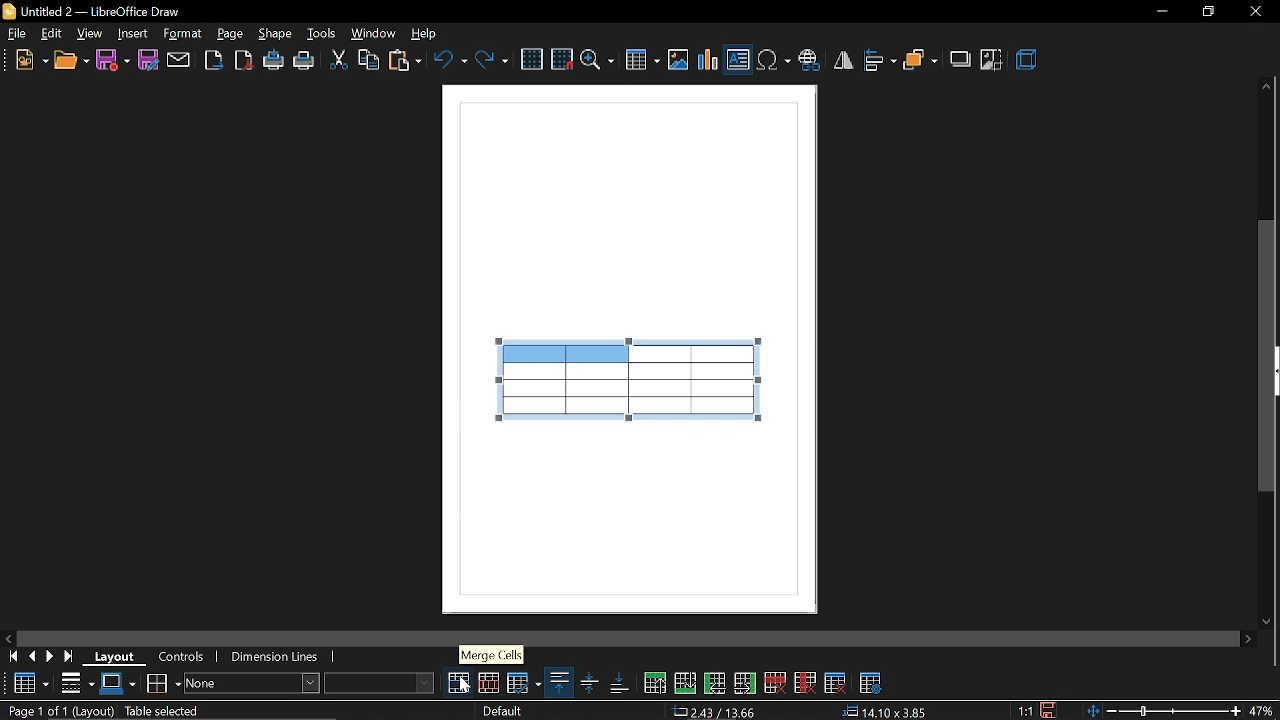  What do you see at coordinates (493, 62) in the screenshot?
I see `redo` at bounding box center [493, 62].